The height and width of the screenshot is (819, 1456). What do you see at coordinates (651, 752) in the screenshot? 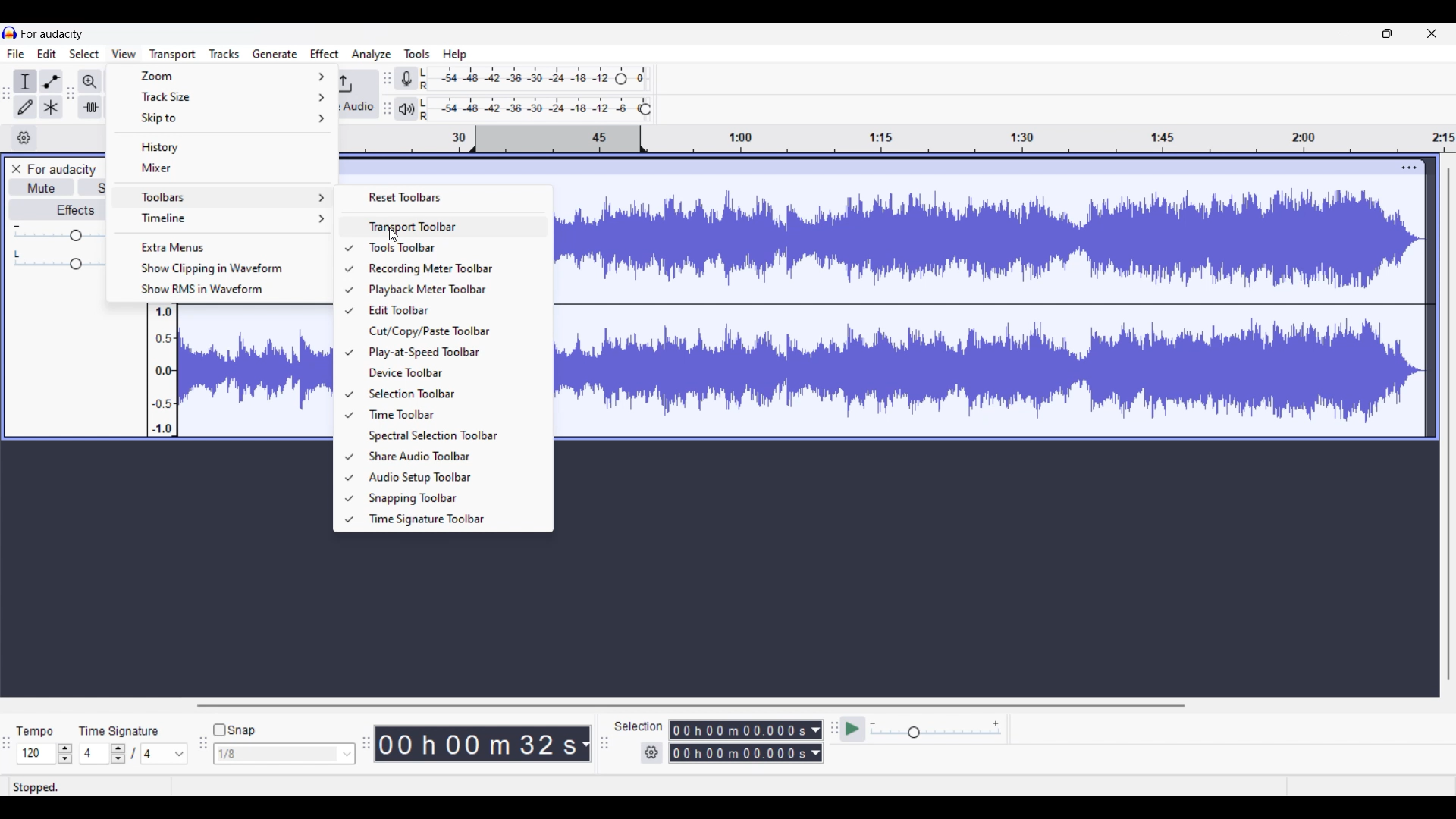
I see `Selection settings` at bounding box center [651, 752].